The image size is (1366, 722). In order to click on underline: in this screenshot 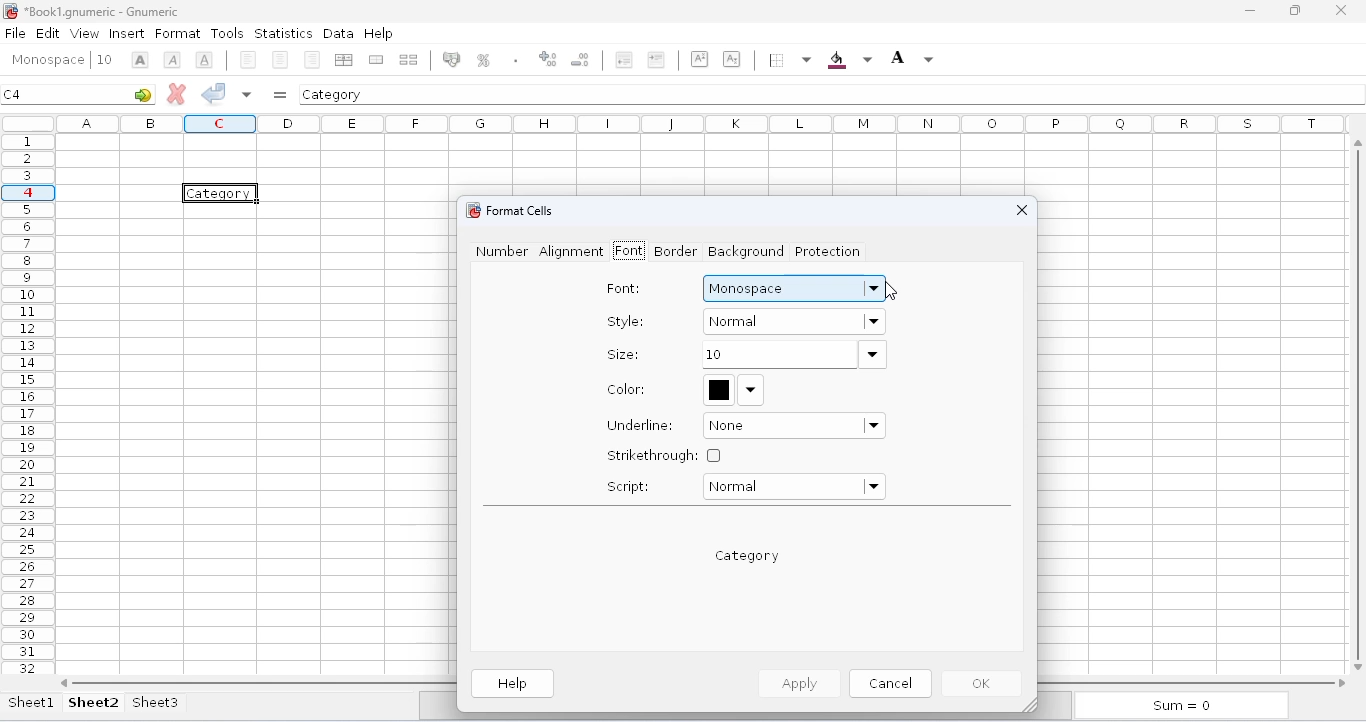, I will do `click(641, 425)`.